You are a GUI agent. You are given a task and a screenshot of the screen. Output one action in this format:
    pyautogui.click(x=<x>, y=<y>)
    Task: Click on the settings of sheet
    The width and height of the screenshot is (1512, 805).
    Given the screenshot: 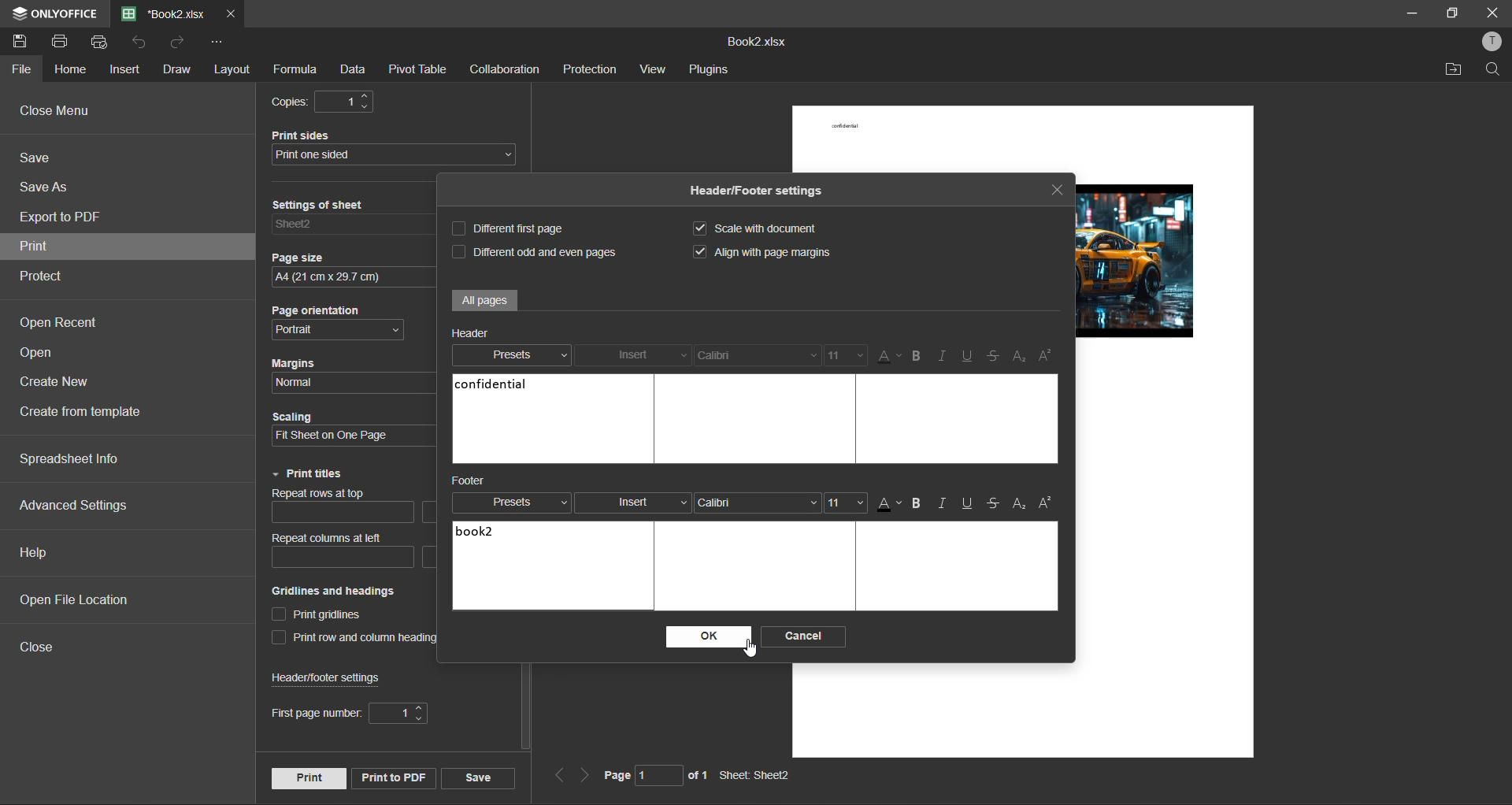 What is the action you would take?
    pyautogui.click(x=352, y=227)
    